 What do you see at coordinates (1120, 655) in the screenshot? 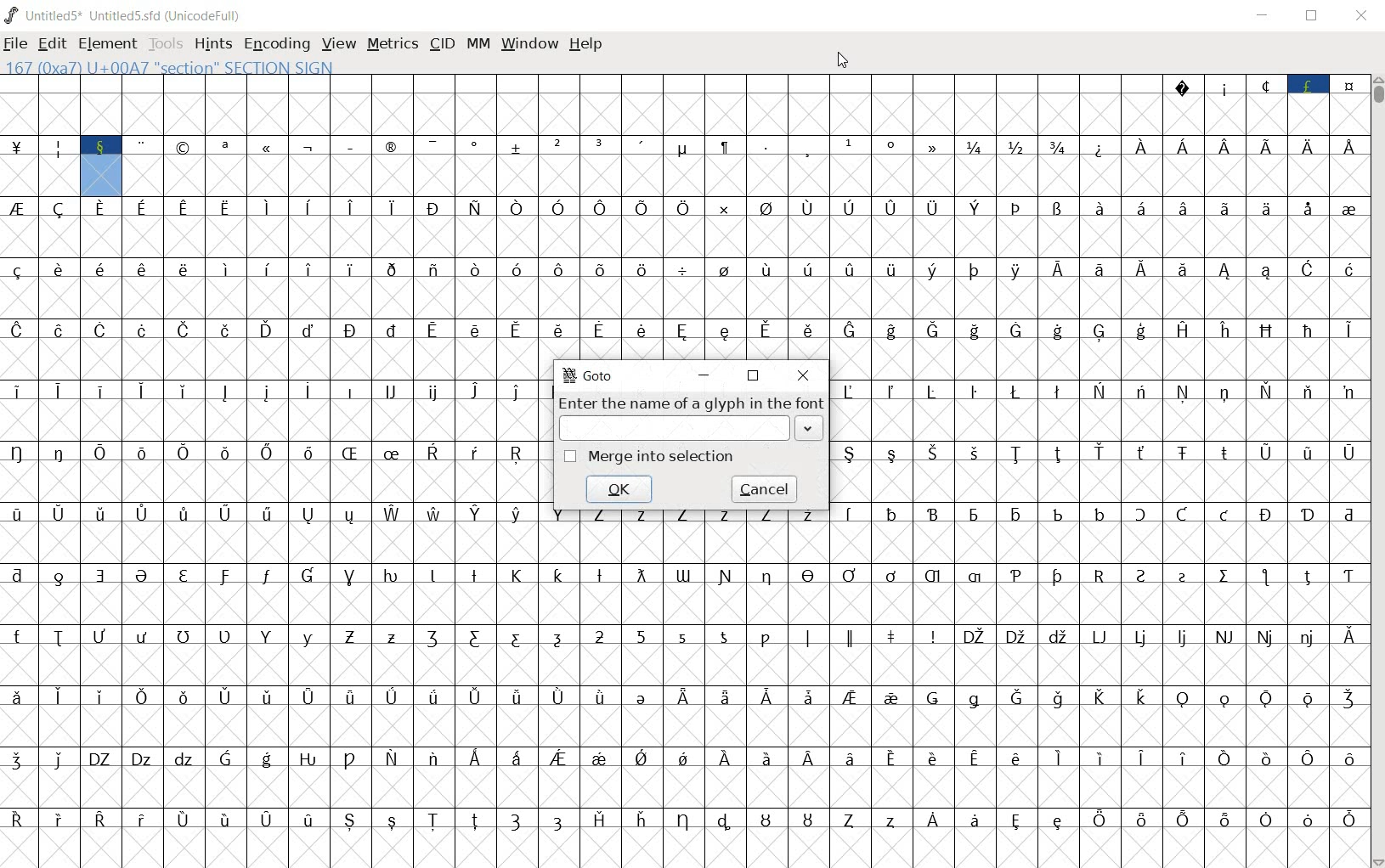
I see `special alphabets` at bounding box center [1120, 655].